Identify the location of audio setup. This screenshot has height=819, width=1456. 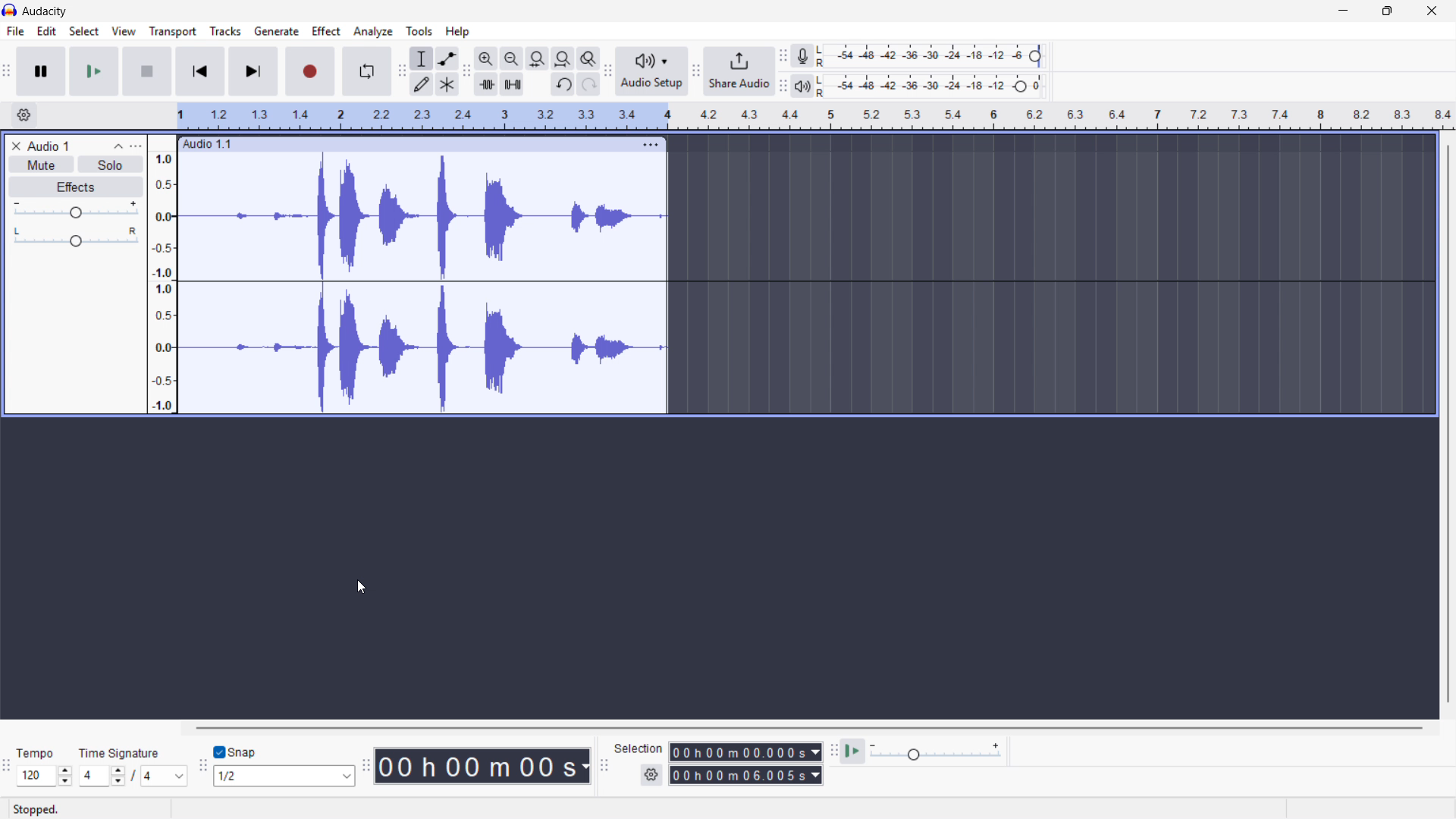
(652, 71).